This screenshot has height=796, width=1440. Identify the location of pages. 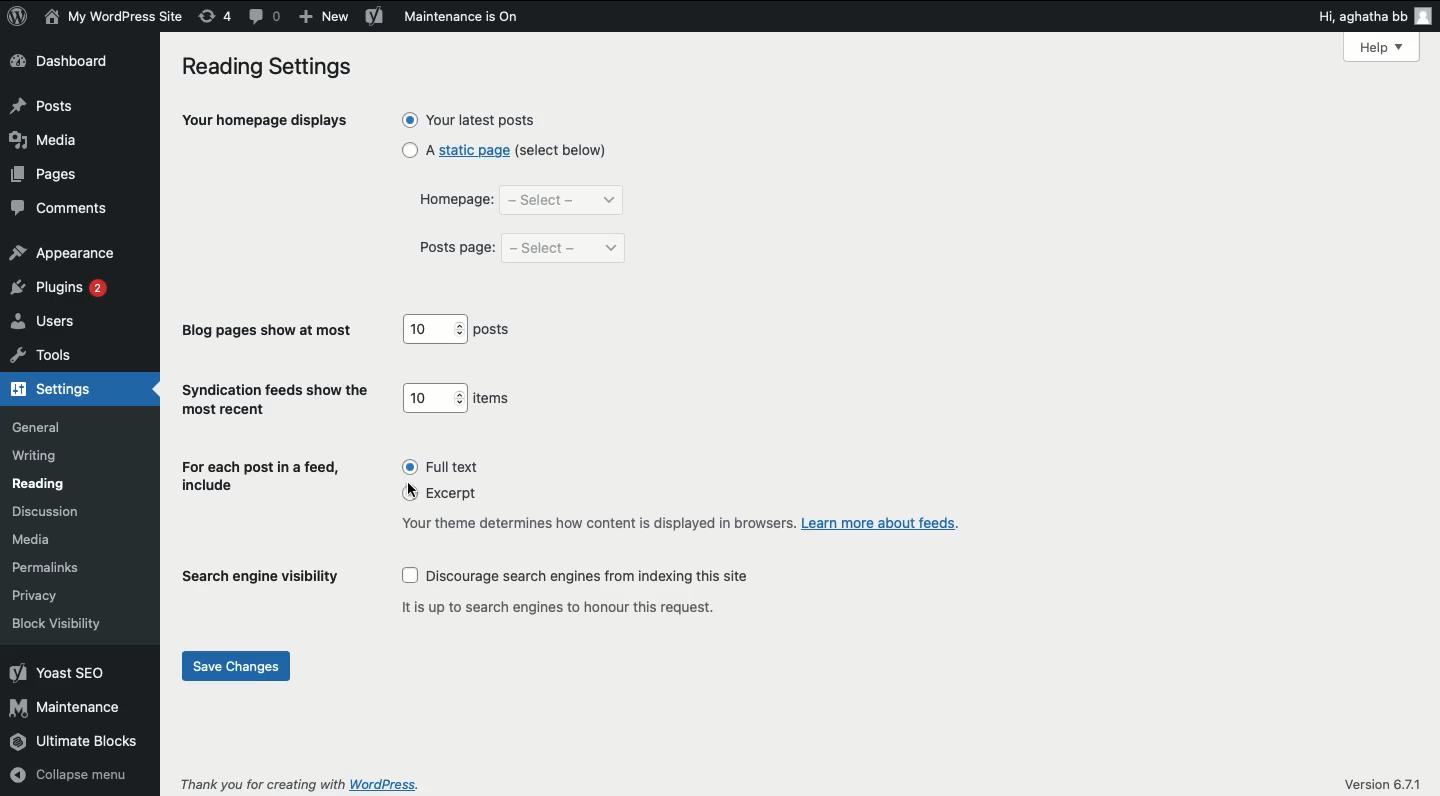
(45, 176).